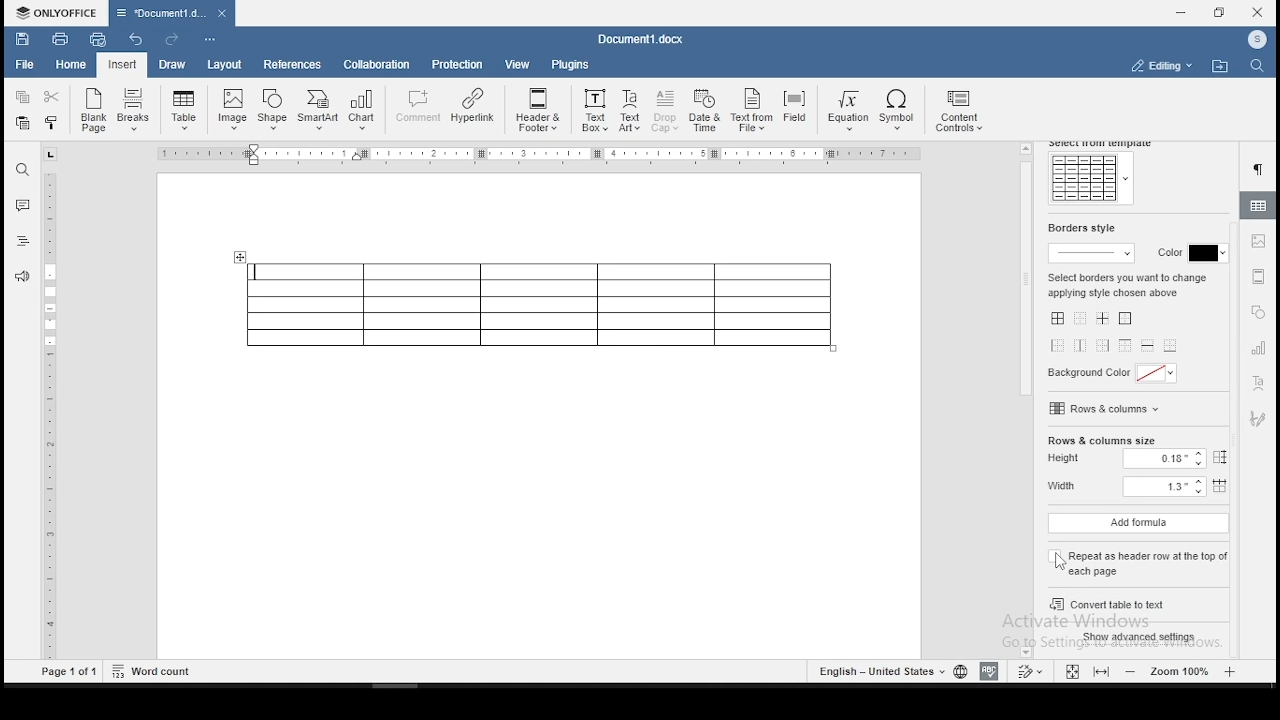  Describe the element at coordinates (23, 275) in the screenshot. I see `feedback and support` at that location.